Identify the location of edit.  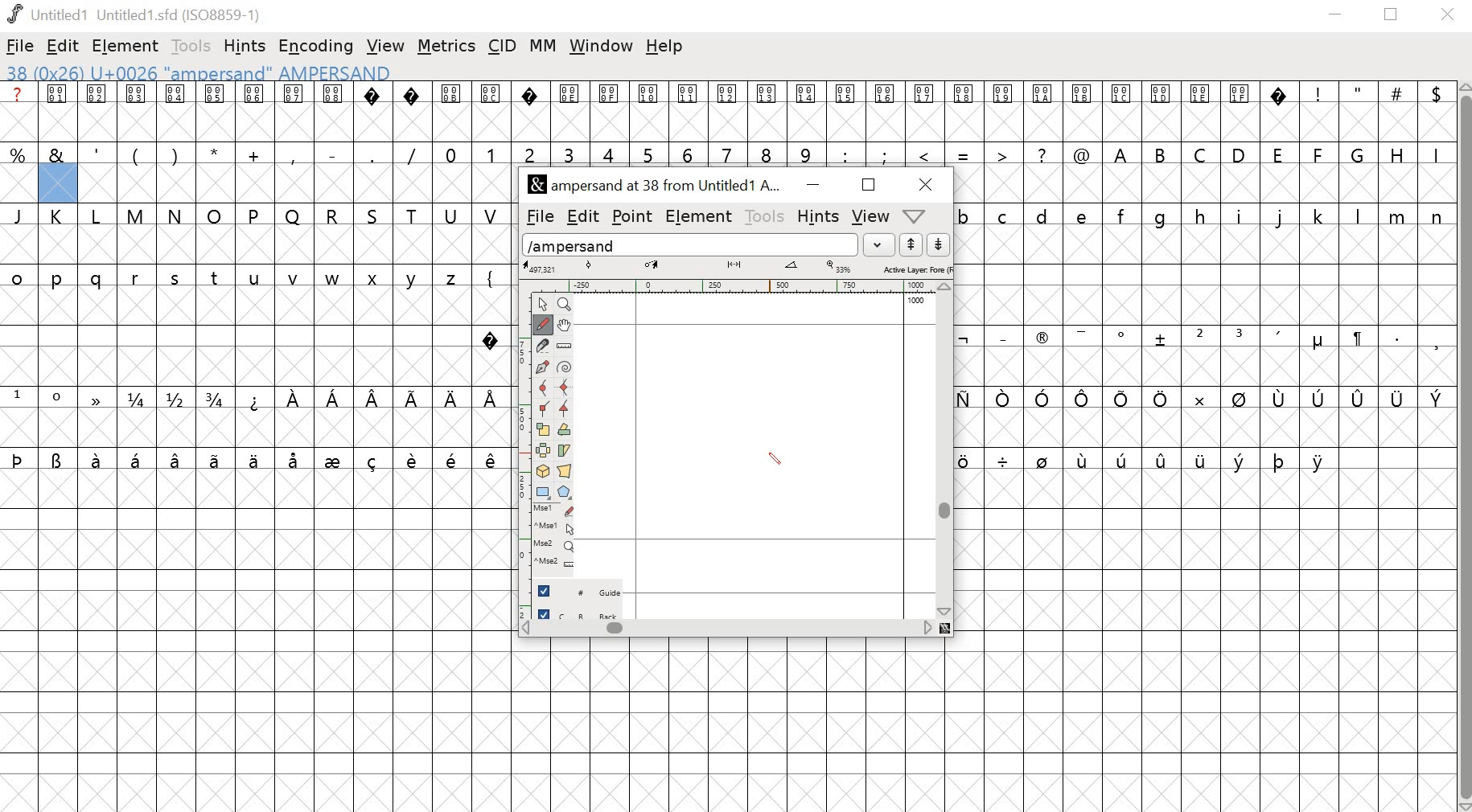
(64, 47).